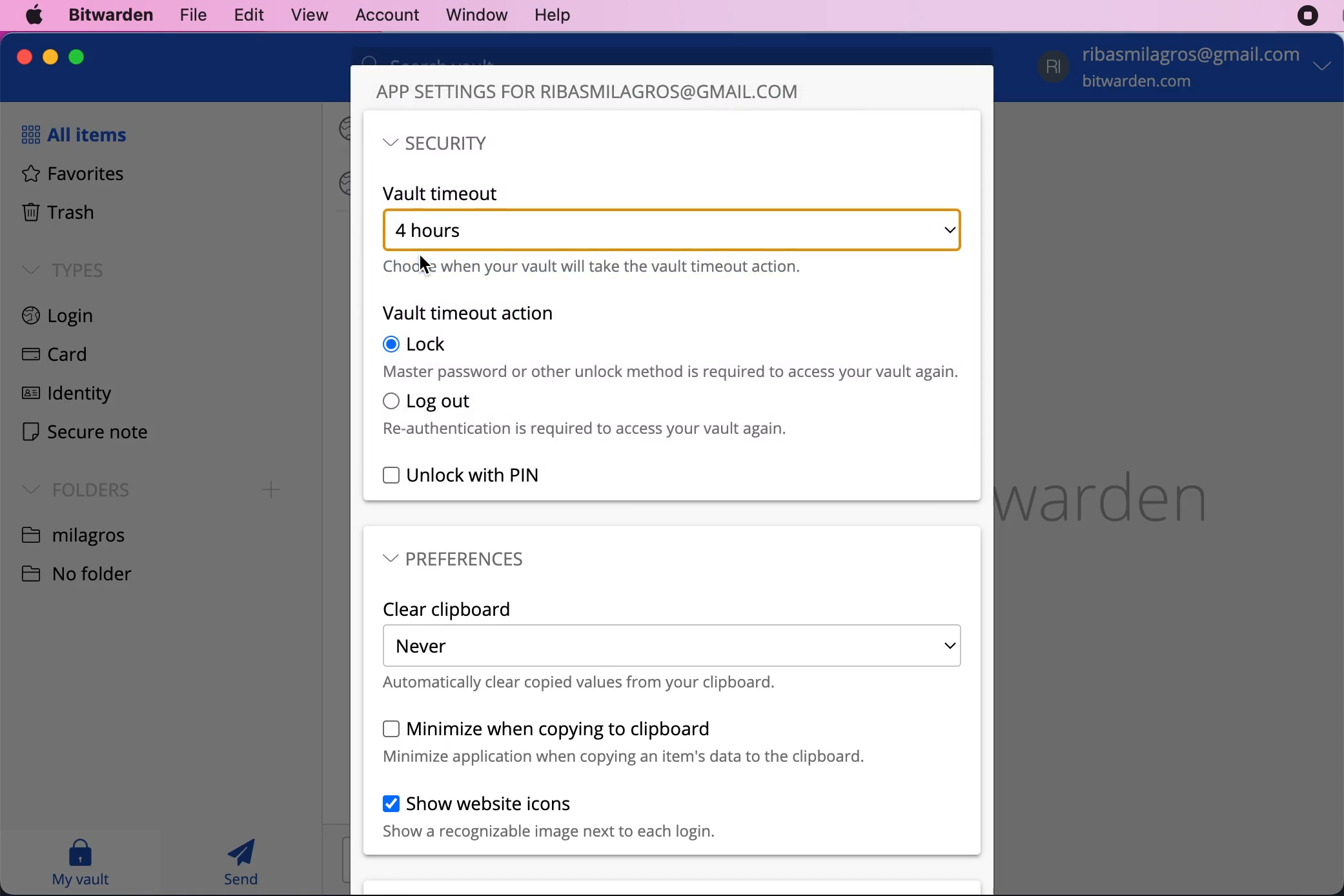 The image size is (1344, 896). I want to click on show website icons, so click(549, 817).